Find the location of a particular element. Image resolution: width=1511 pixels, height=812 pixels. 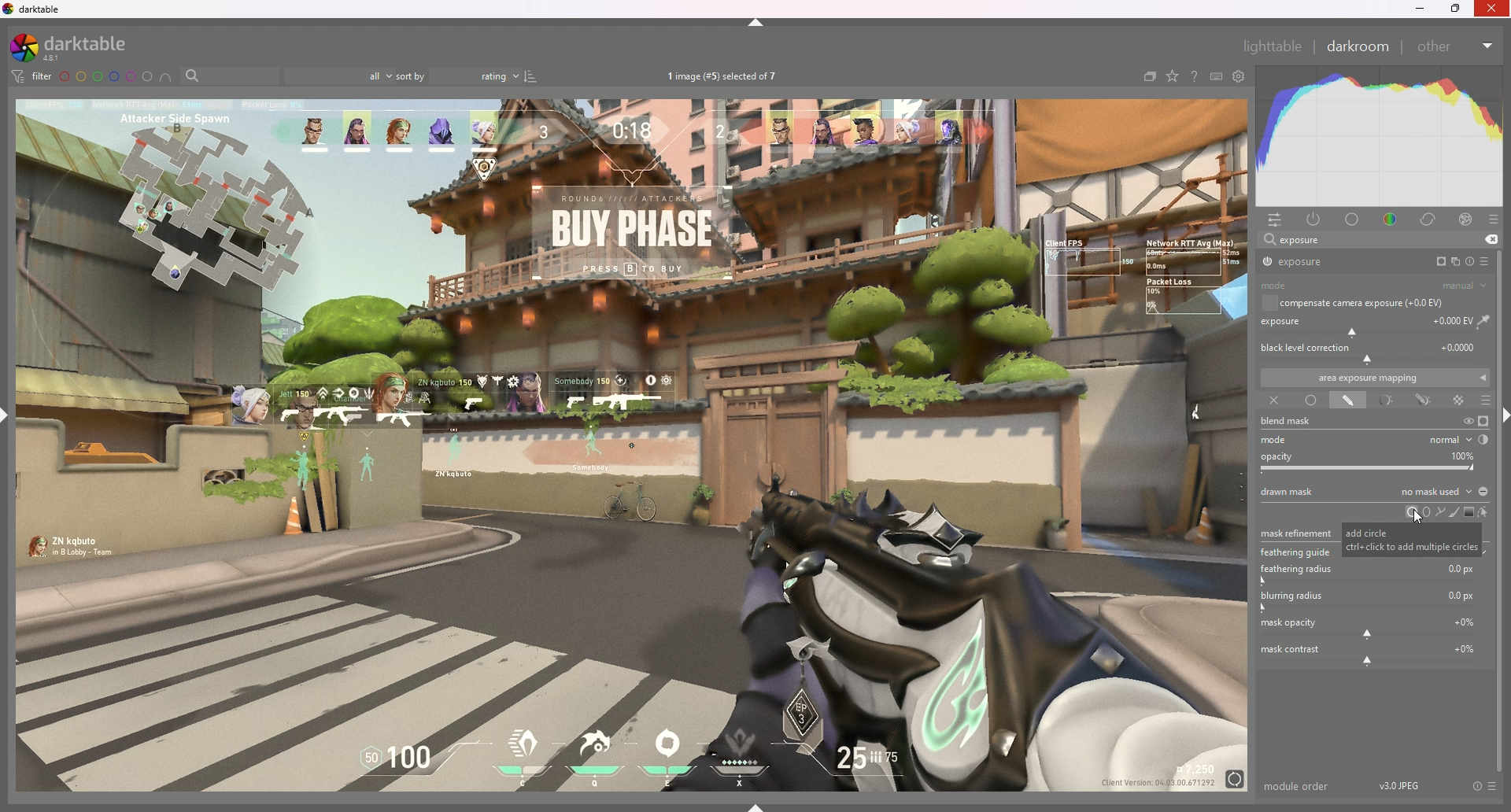

image is located at coordinates (634, 445).